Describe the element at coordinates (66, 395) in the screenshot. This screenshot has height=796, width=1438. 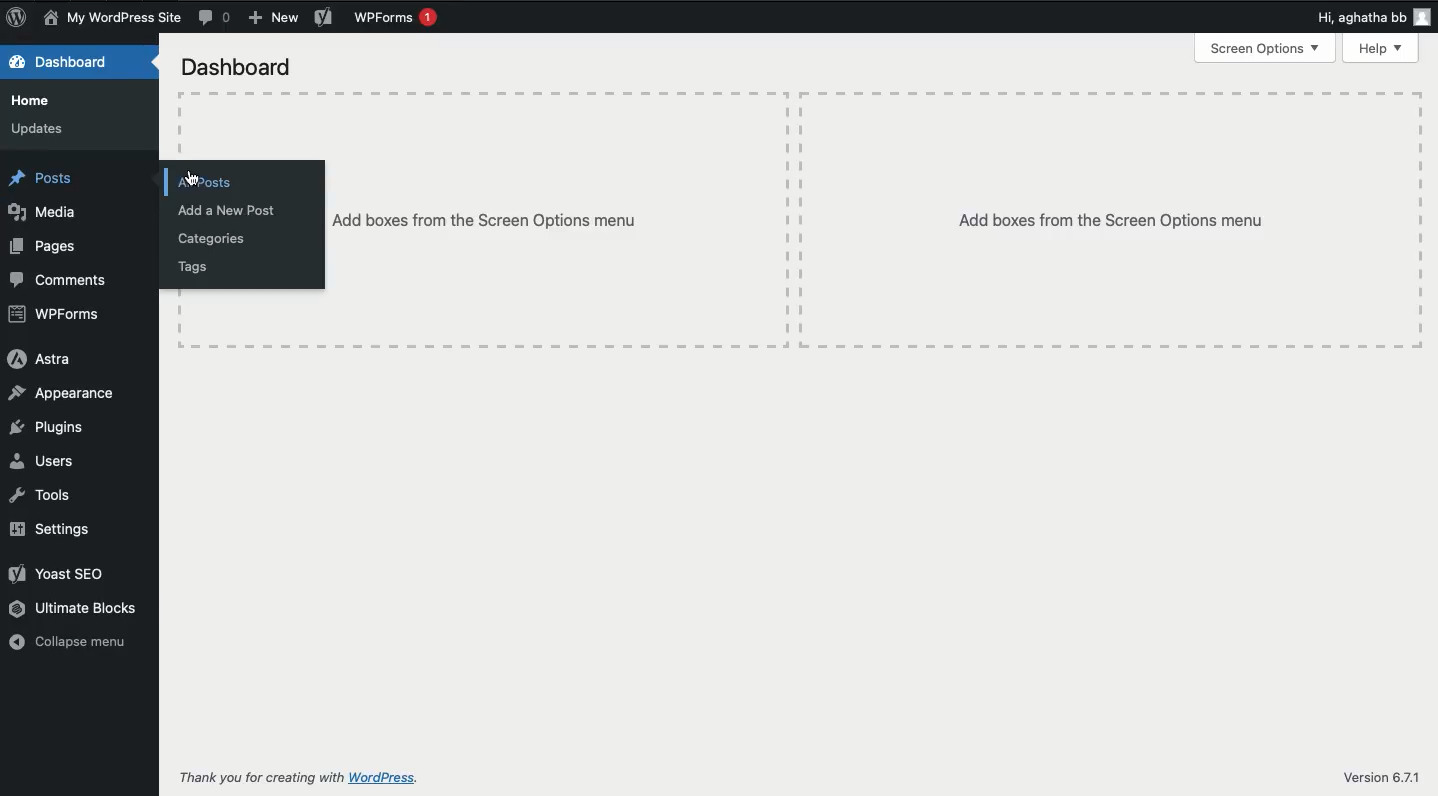
I see `Appearance` at that location.